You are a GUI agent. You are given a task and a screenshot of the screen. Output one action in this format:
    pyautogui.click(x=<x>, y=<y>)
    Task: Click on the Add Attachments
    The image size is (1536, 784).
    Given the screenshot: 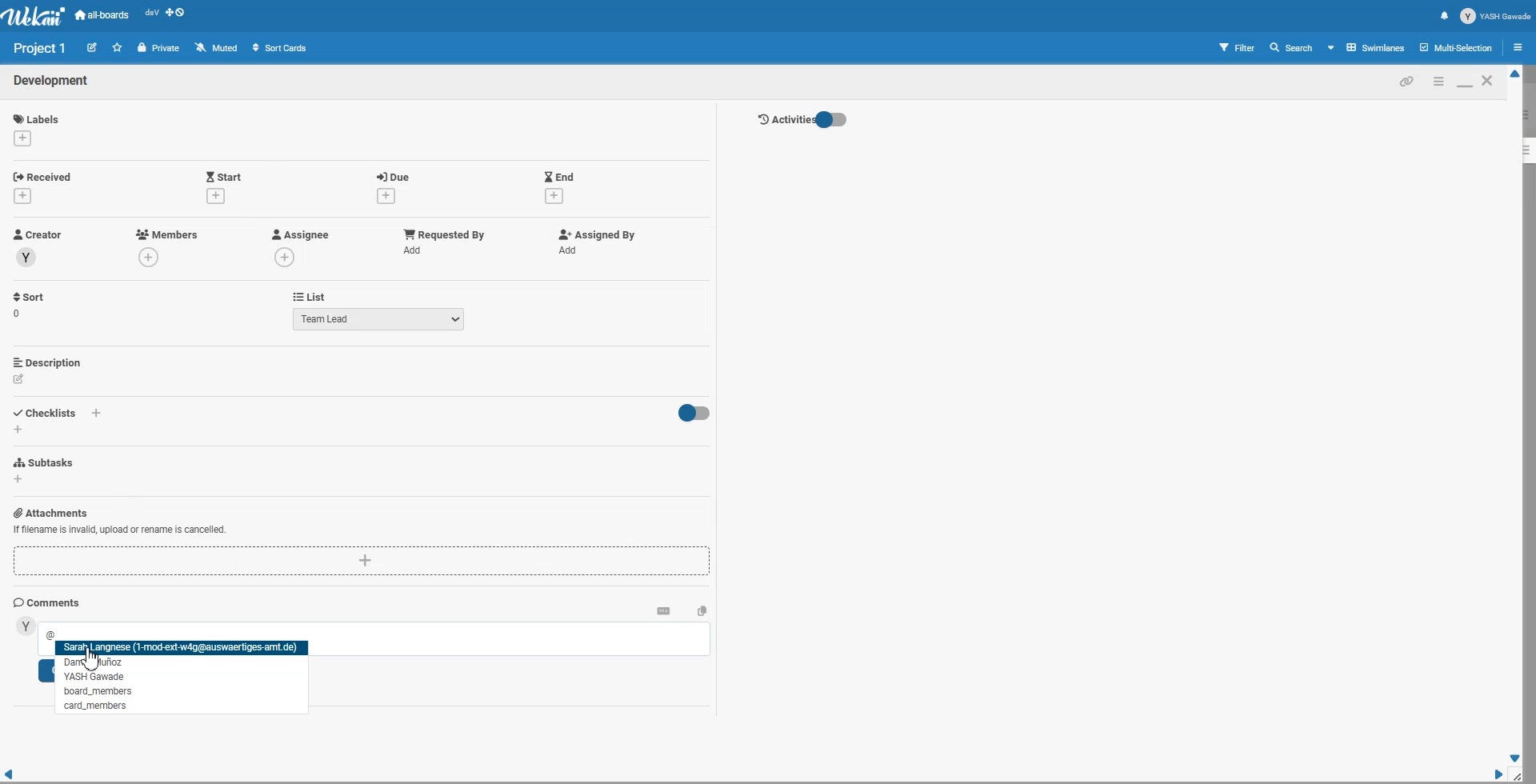 What is the action you would take?
    pyautogui.click(x=362, y=562)
    